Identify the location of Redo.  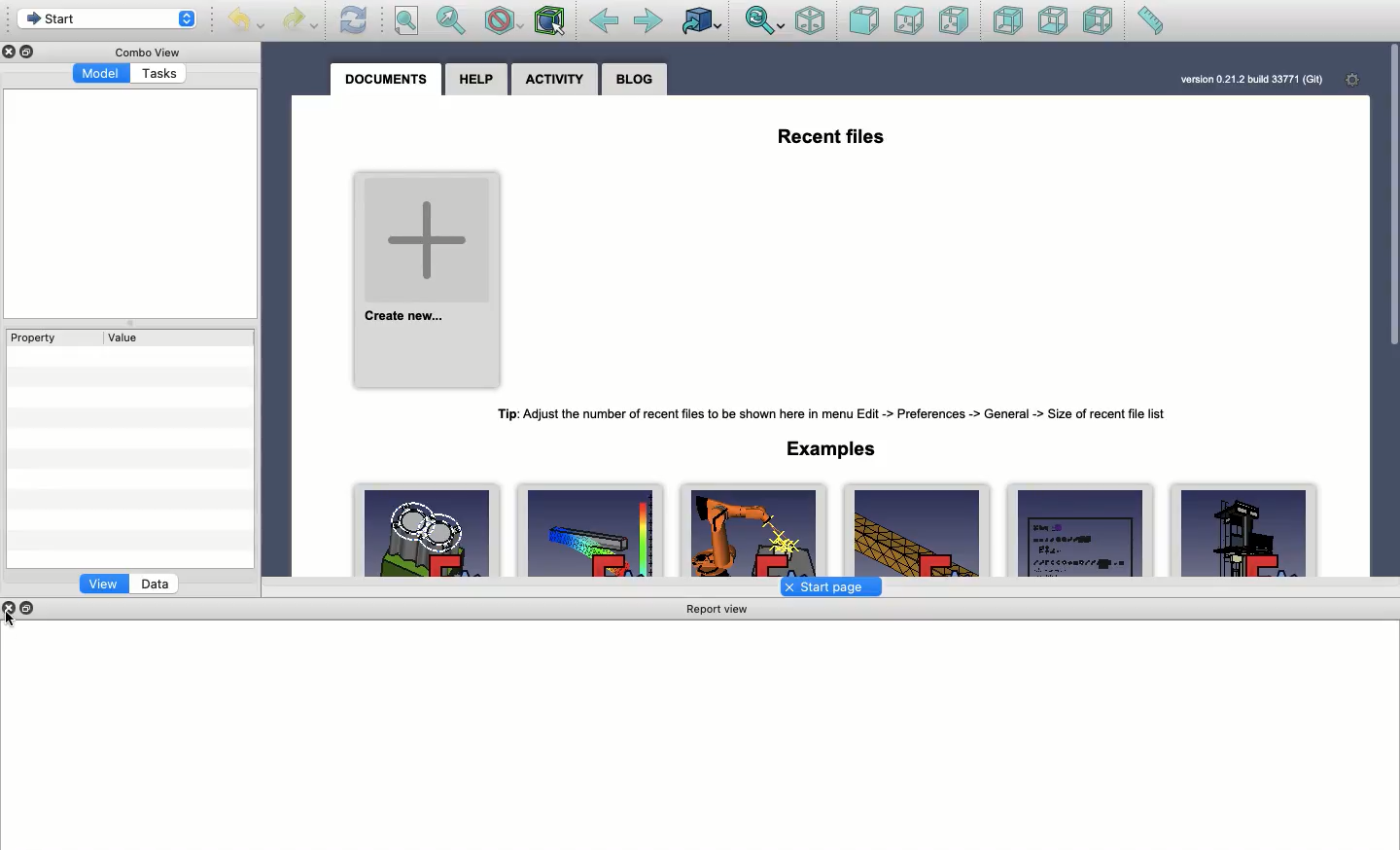
(303, 20).